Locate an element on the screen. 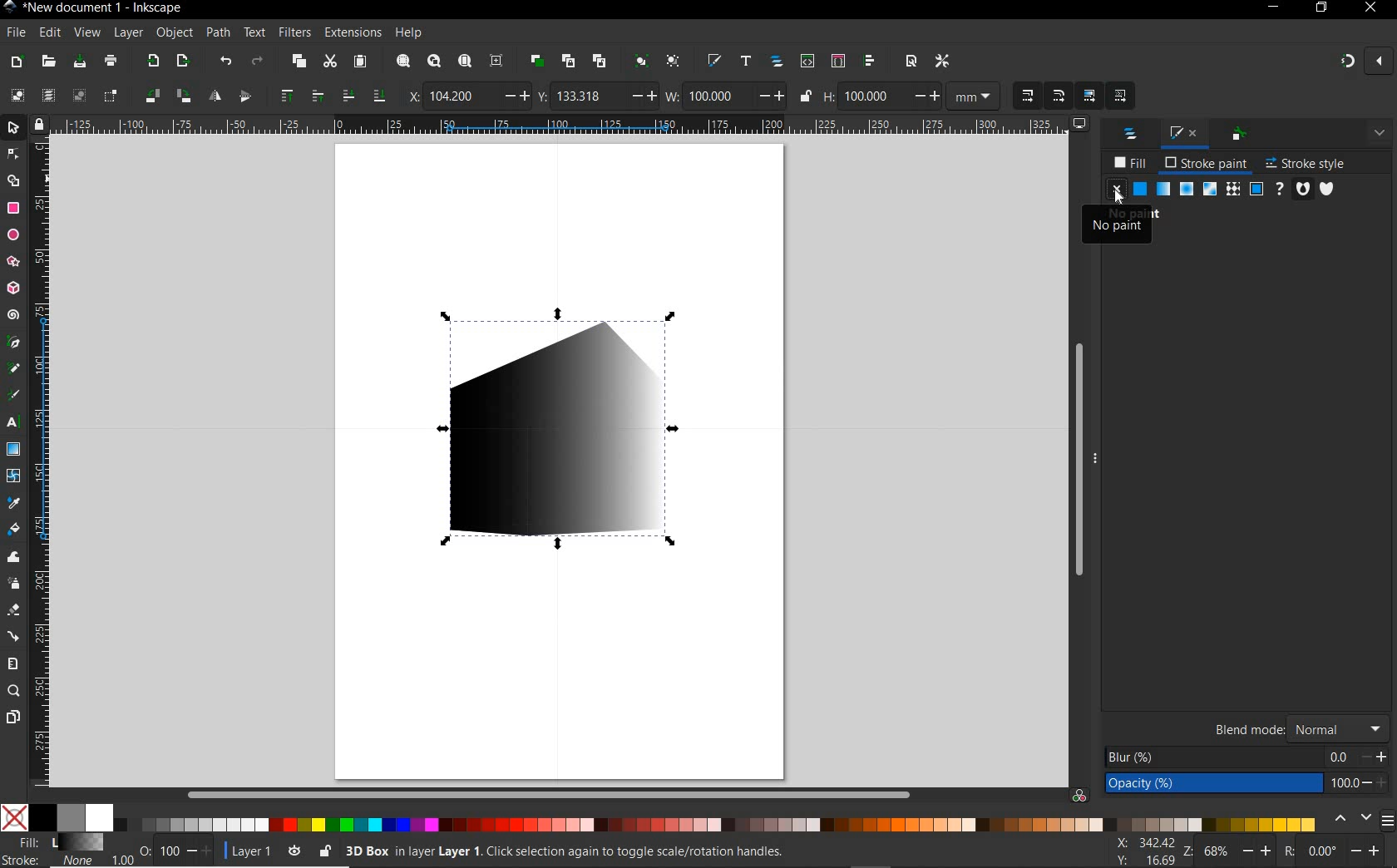 This screenshot has height=868, width=1397. computer icon is located at coordinates (1080, 124).